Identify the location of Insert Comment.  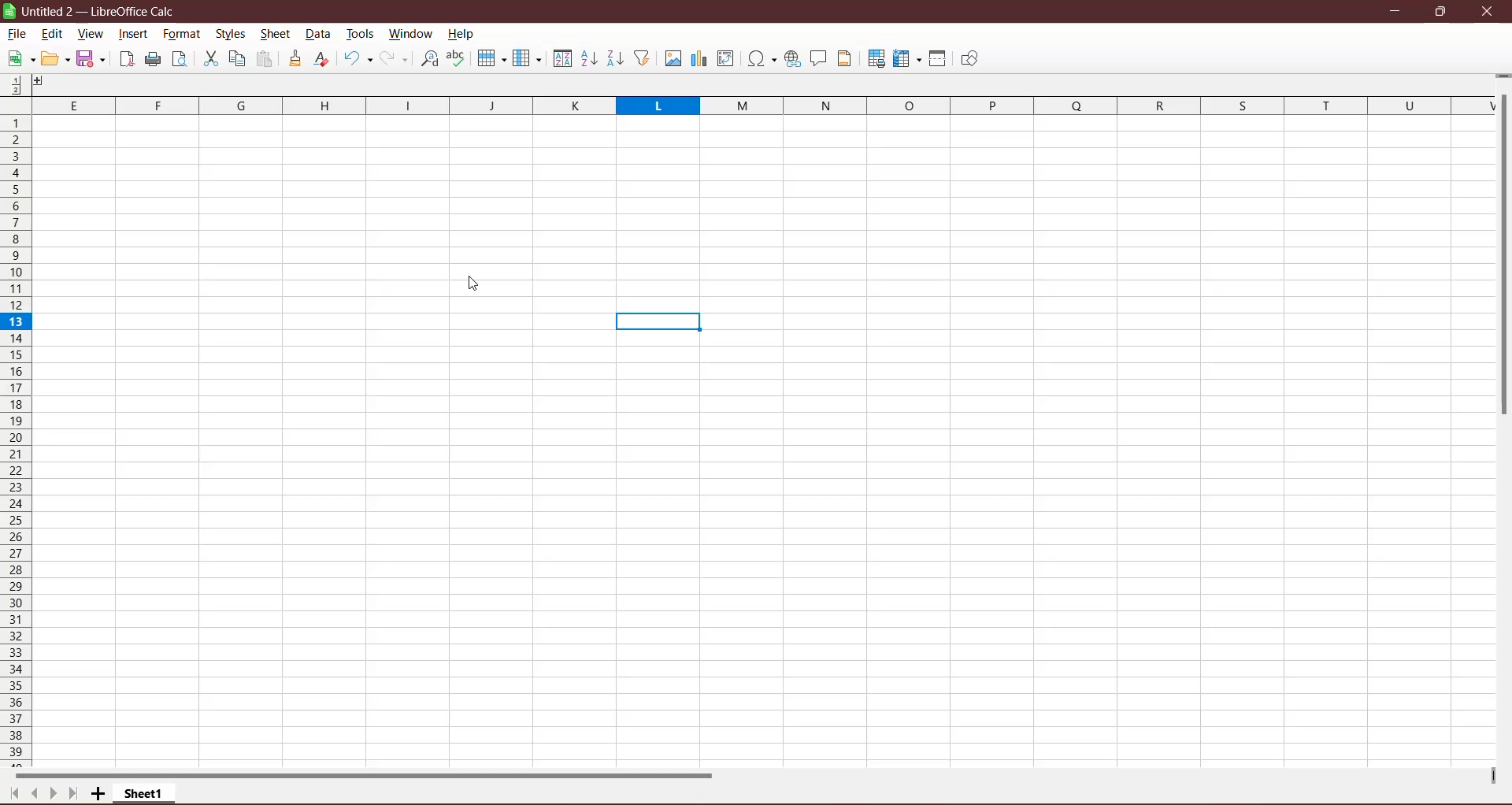
(819, 59).